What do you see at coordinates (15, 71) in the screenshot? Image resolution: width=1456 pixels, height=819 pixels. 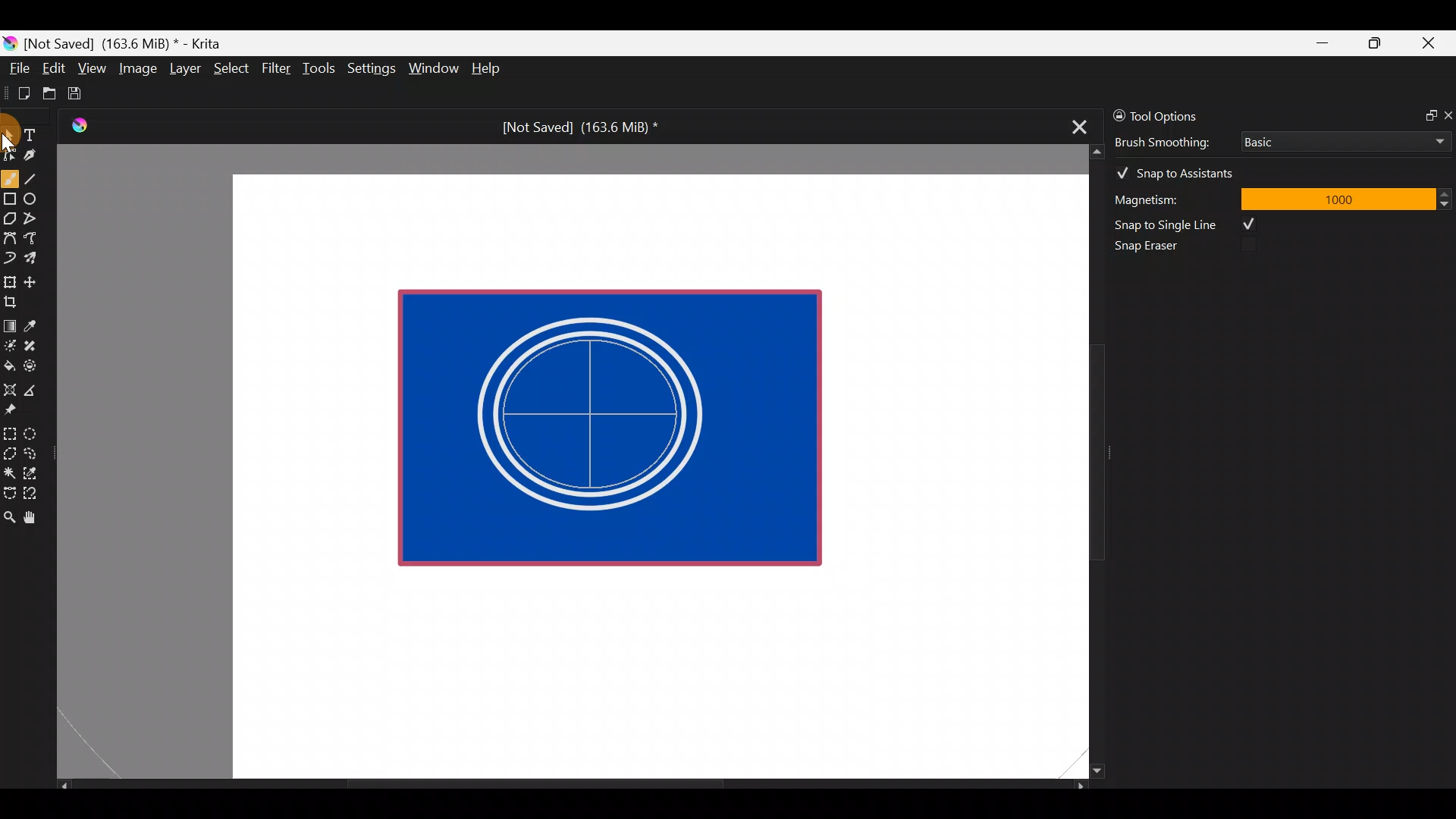 I see `File` at bounding box center [15, 71].